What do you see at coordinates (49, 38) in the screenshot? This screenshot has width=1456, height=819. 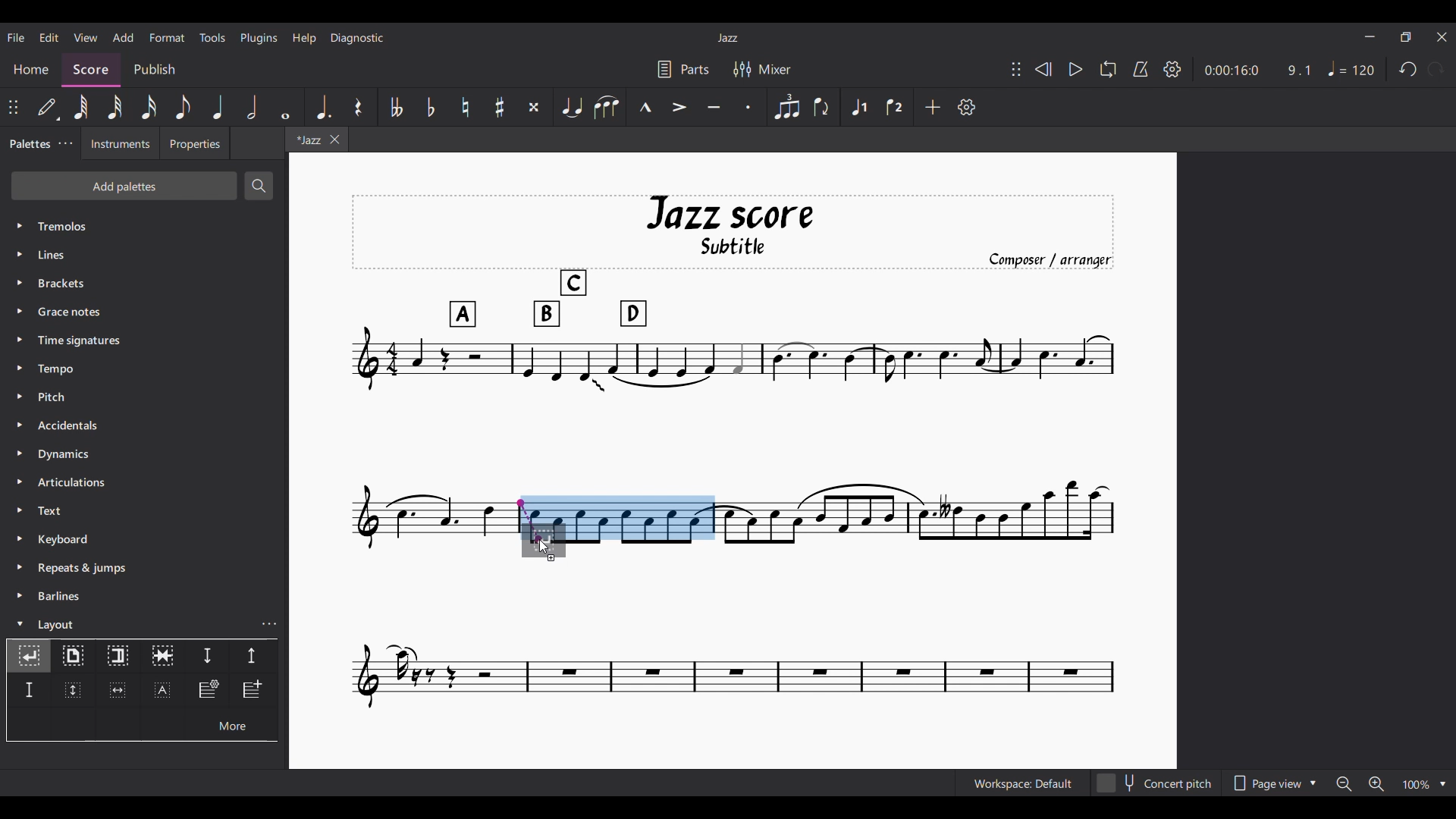 I see `Edit menu` at bounding box center [49, 38].